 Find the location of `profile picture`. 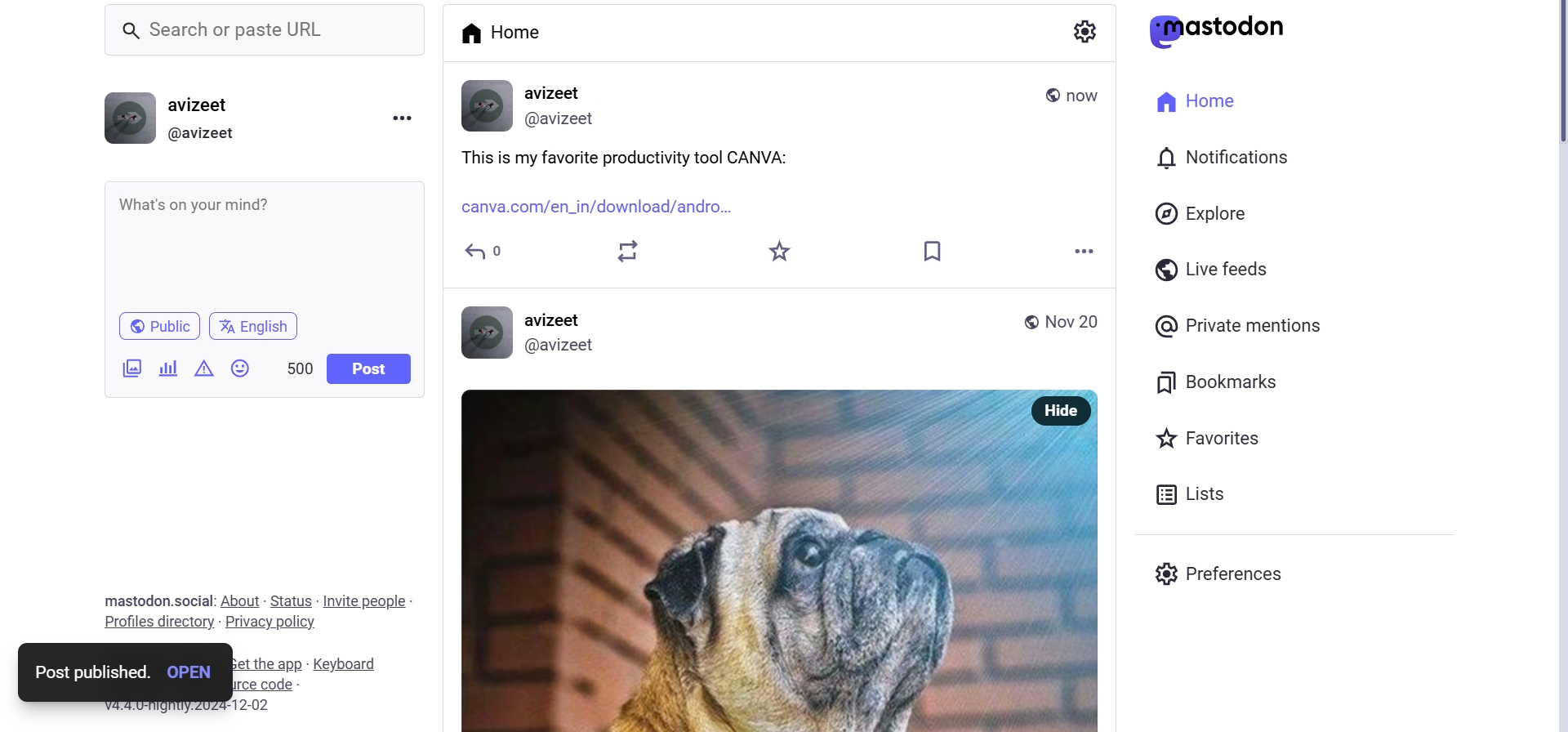

profile picture is located at coordinates (488, 105).